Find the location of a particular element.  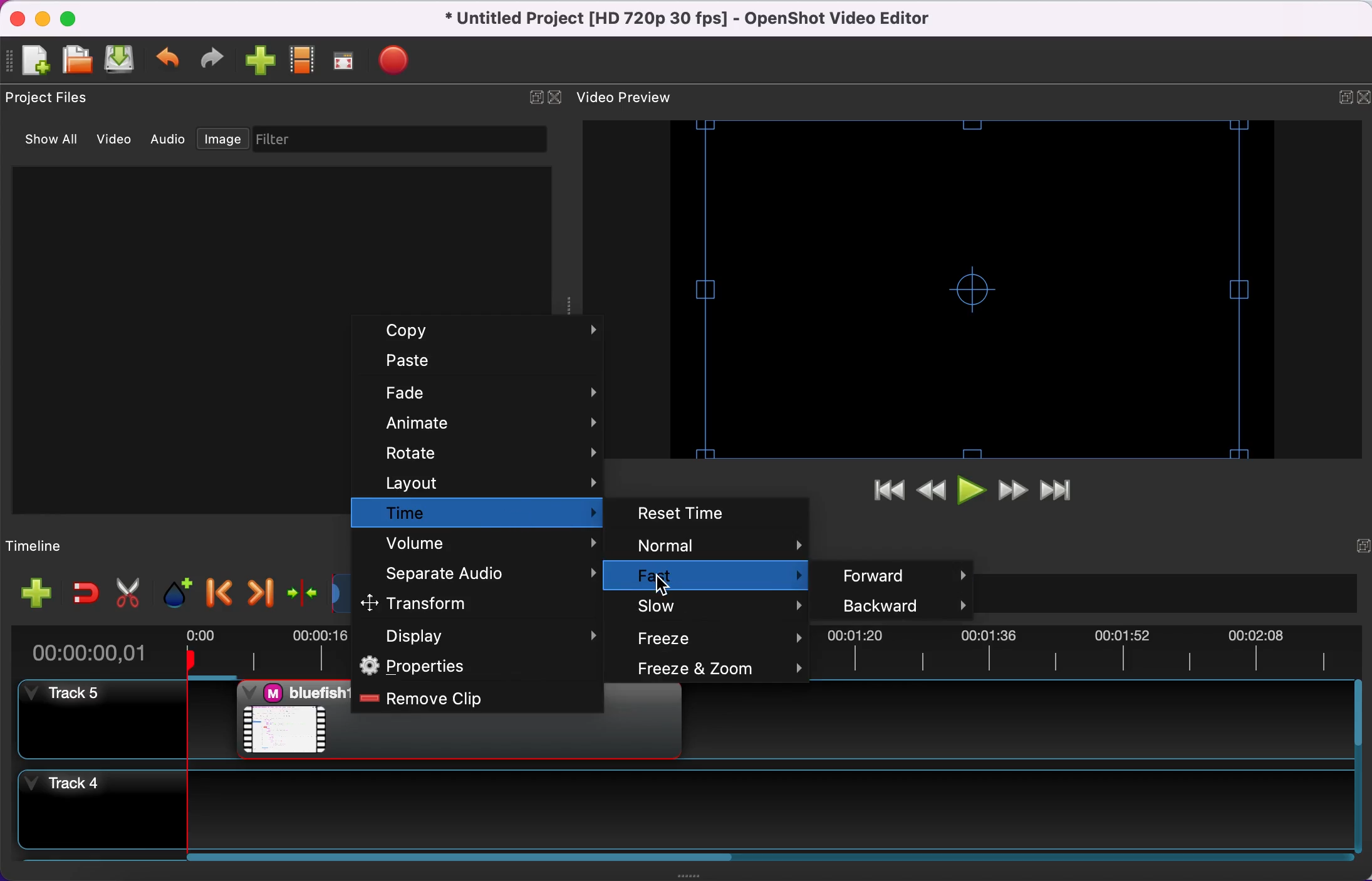

normal is located at coordinates (719, 546).